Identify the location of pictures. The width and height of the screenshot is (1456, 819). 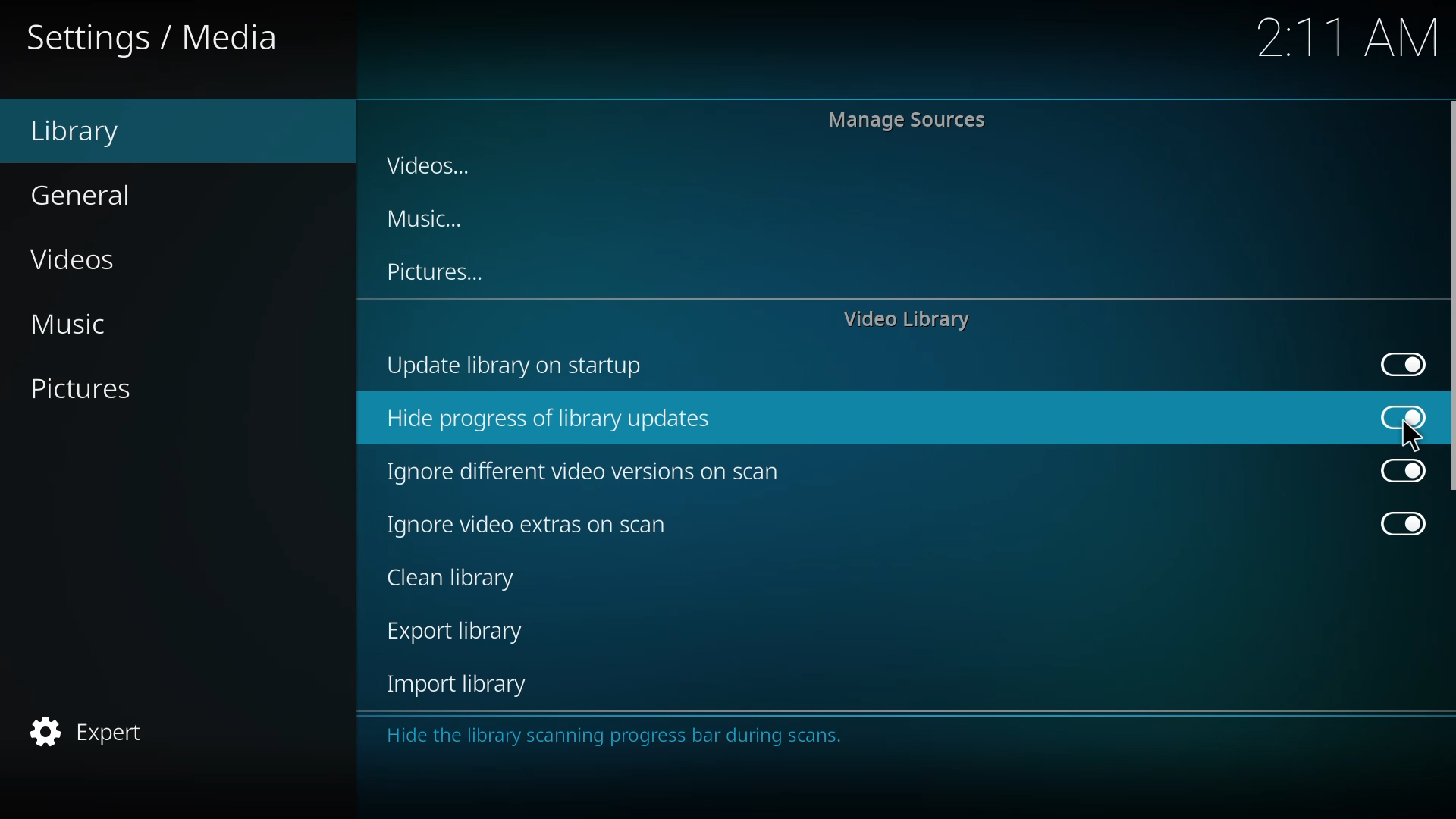
(86, 390).